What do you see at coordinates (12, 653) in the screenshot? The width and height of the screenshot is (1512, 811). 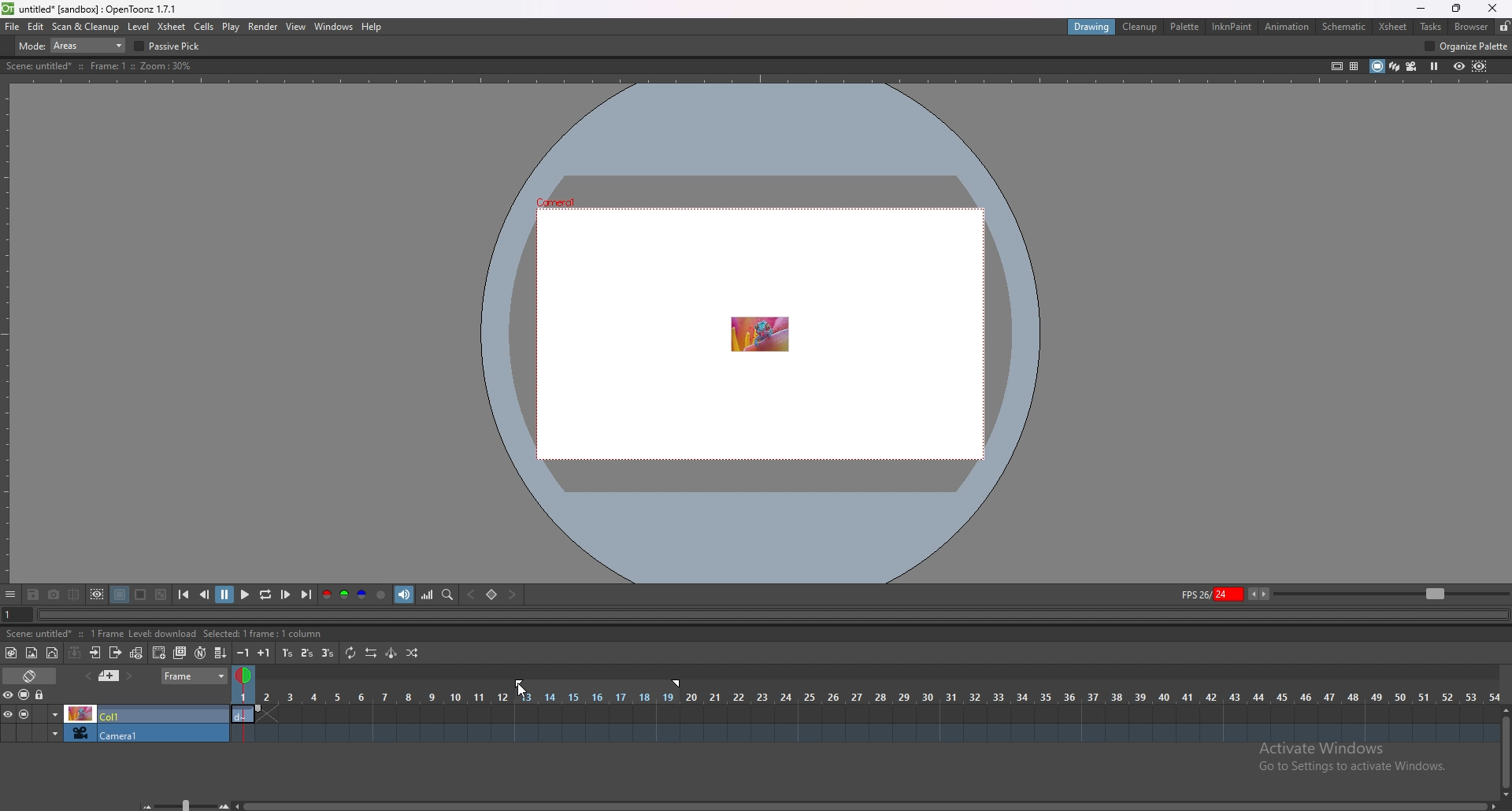 I see `new toonz raster level` at bounding box center [12, 653].